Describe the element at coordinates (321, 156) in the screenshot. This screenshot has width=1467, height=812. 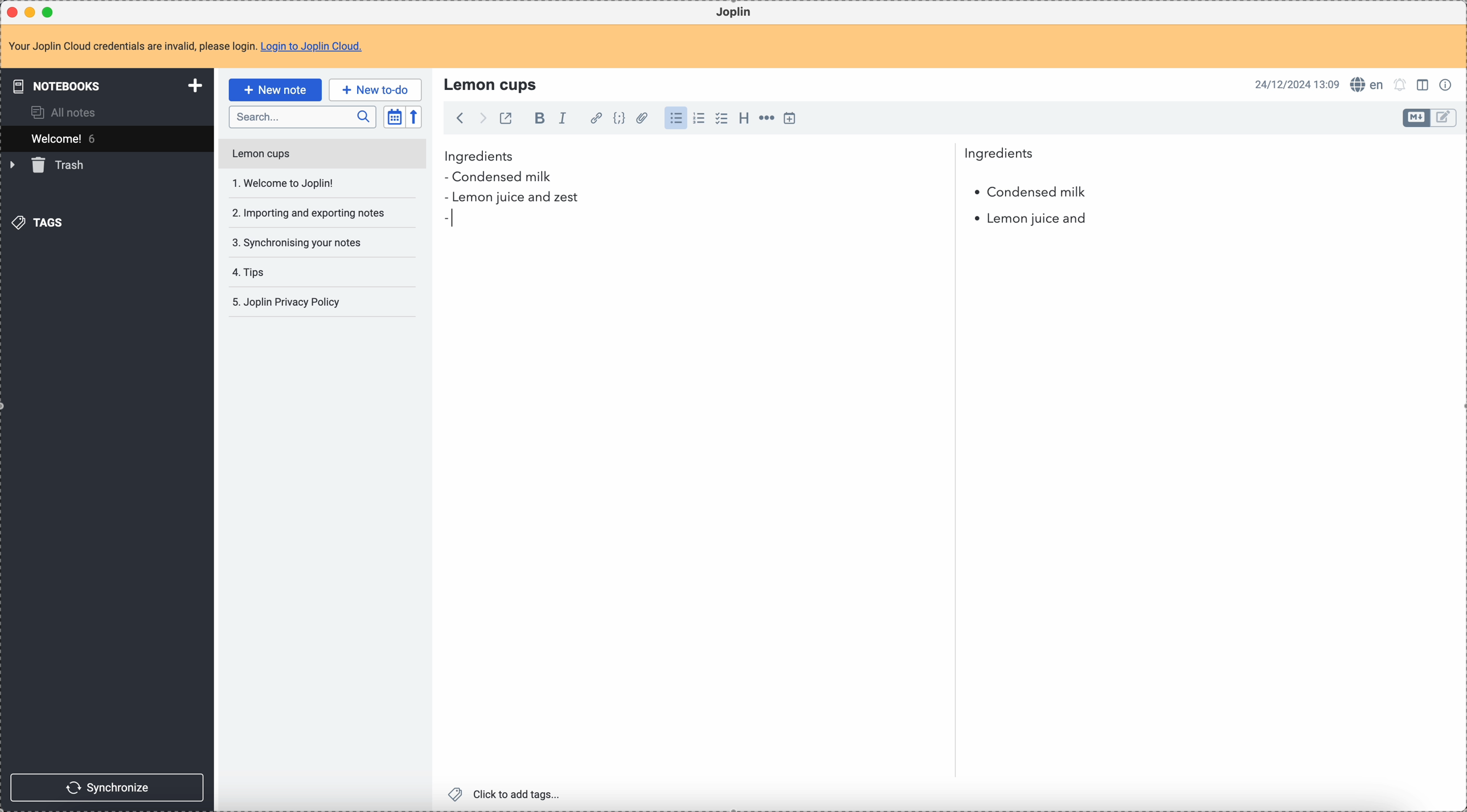
I see `lemon cups` at that location.